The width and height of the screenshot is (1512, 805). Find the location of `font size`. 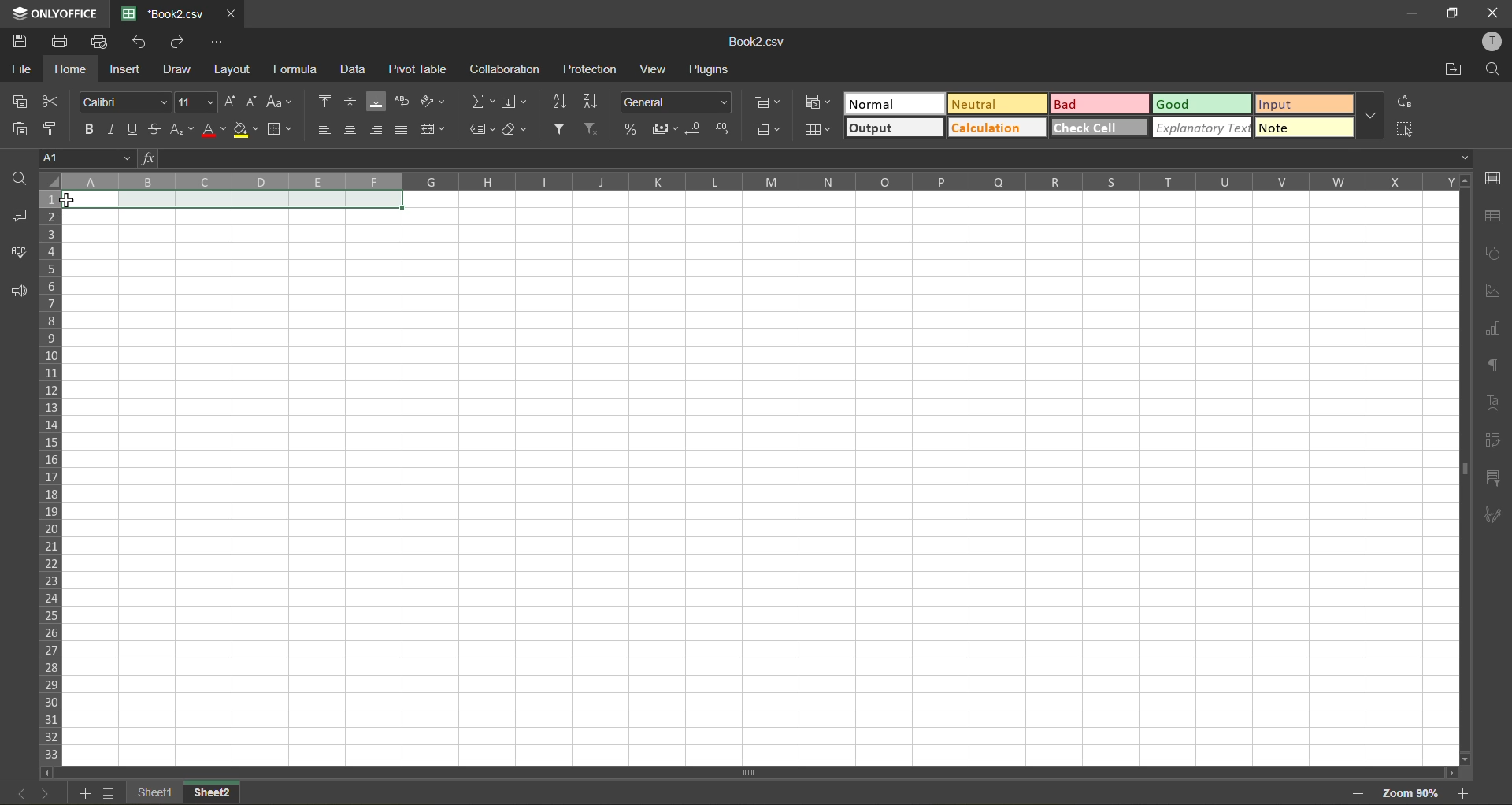

font size is located at coordinates (195, 102).